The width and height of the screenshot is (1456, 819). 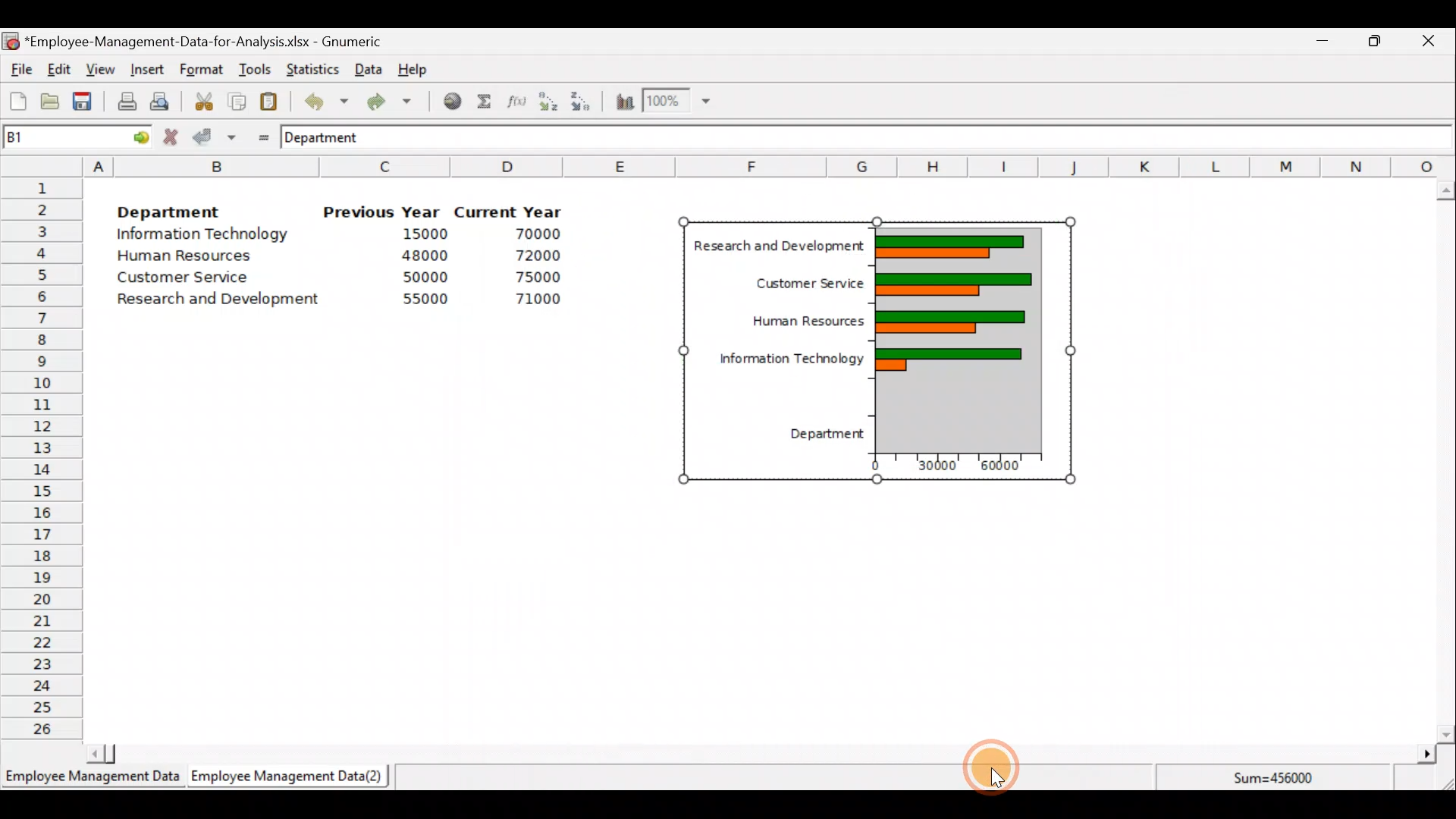 What do you see at coordinates (781, 247) in the screenshot?
I see `Research and Development` at bounding box center [781, 247].